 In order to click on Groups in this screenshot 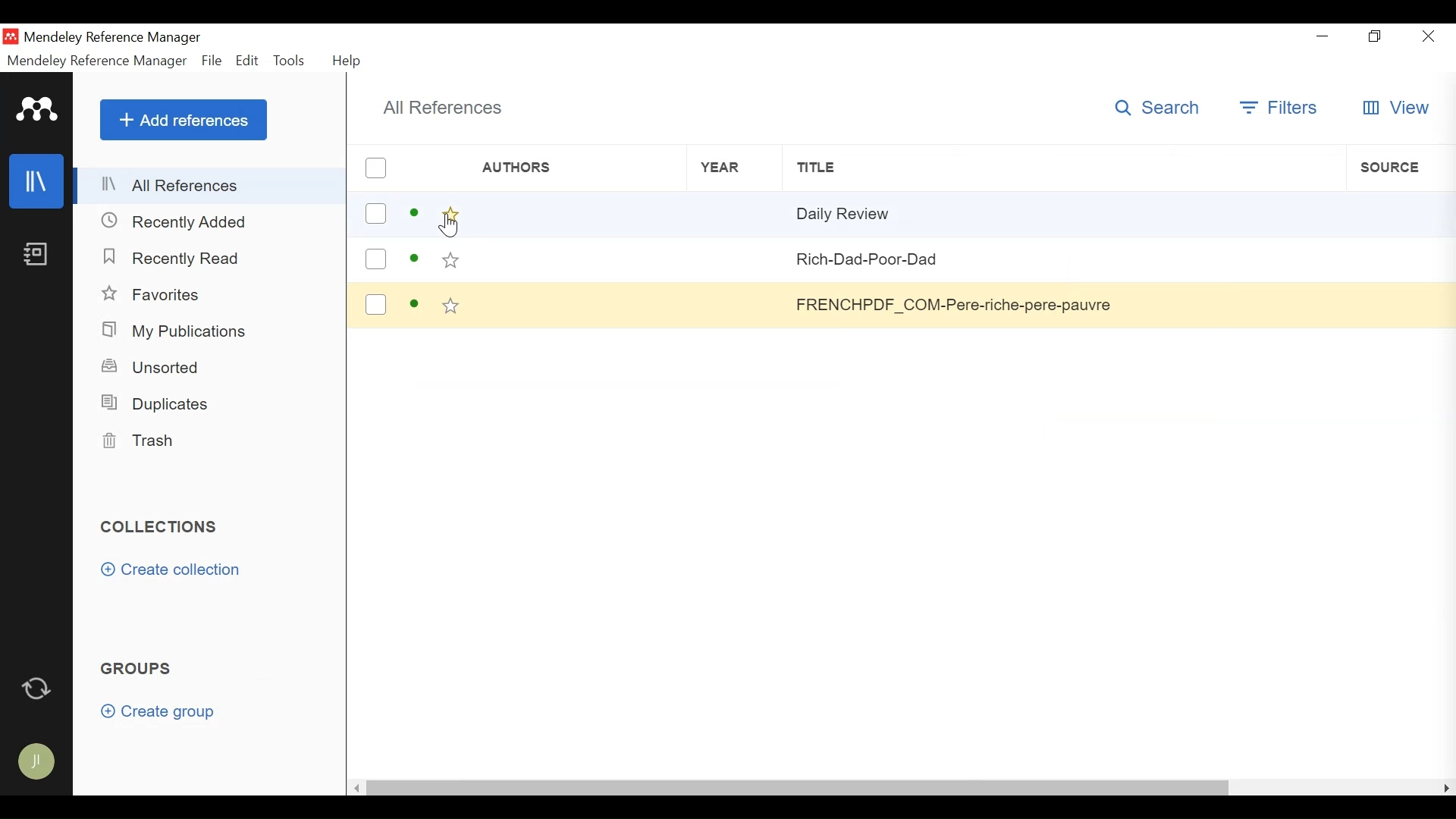, I will do `click(138, 667)`.